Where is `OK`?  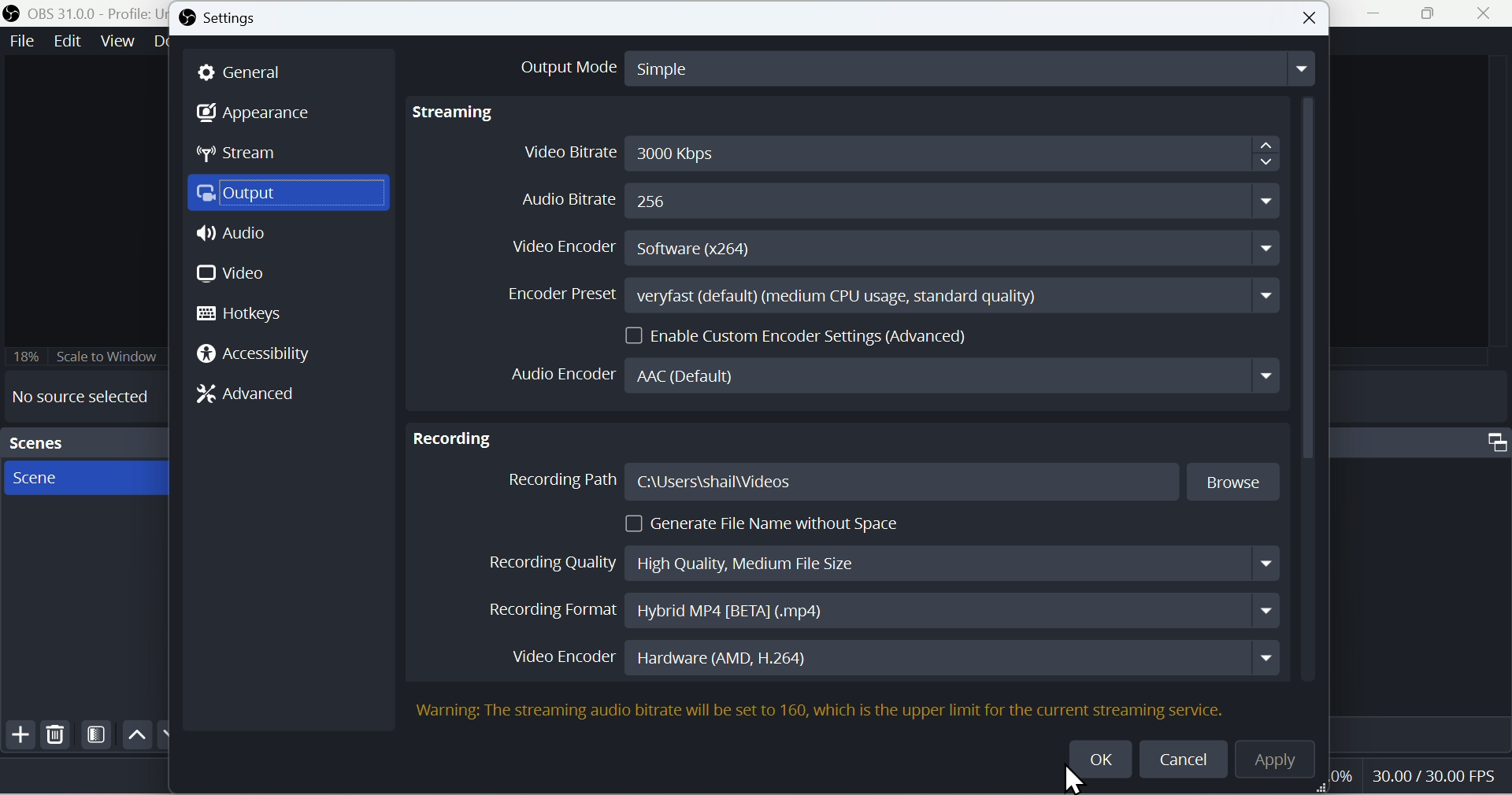 OK is located at coordinates (1102, 755).